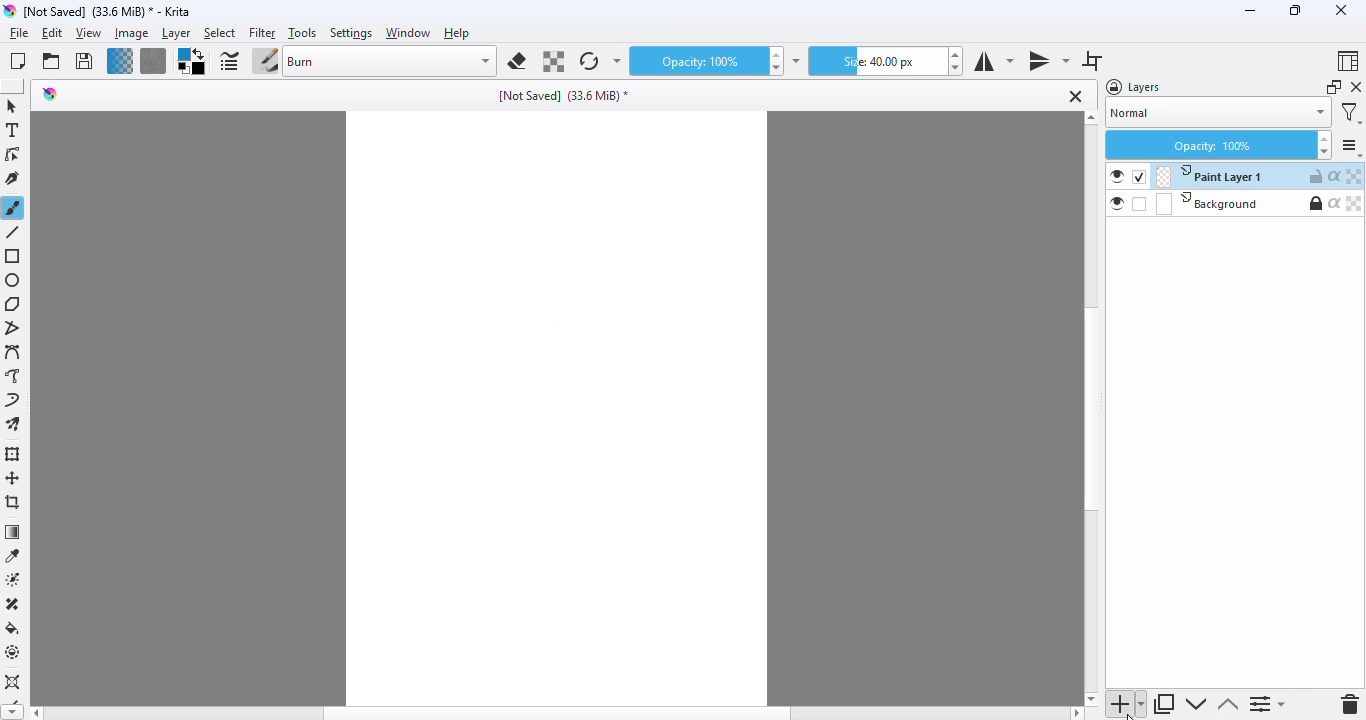 This screenshot has width=1366, height=720. I want to click on locked, so click(1315, 203).